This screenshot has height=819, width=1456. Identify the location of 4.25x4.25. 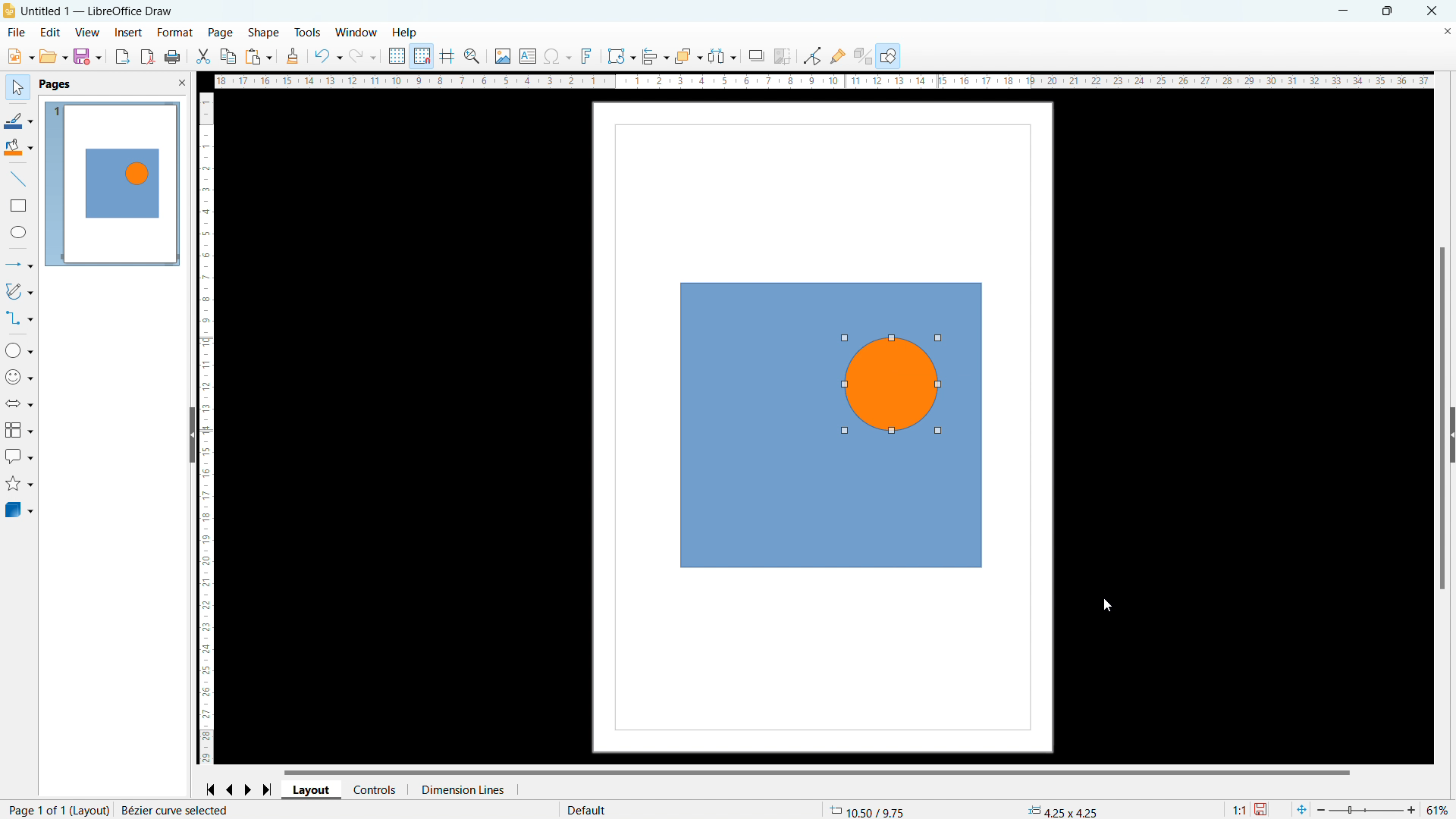
(1062, 810).